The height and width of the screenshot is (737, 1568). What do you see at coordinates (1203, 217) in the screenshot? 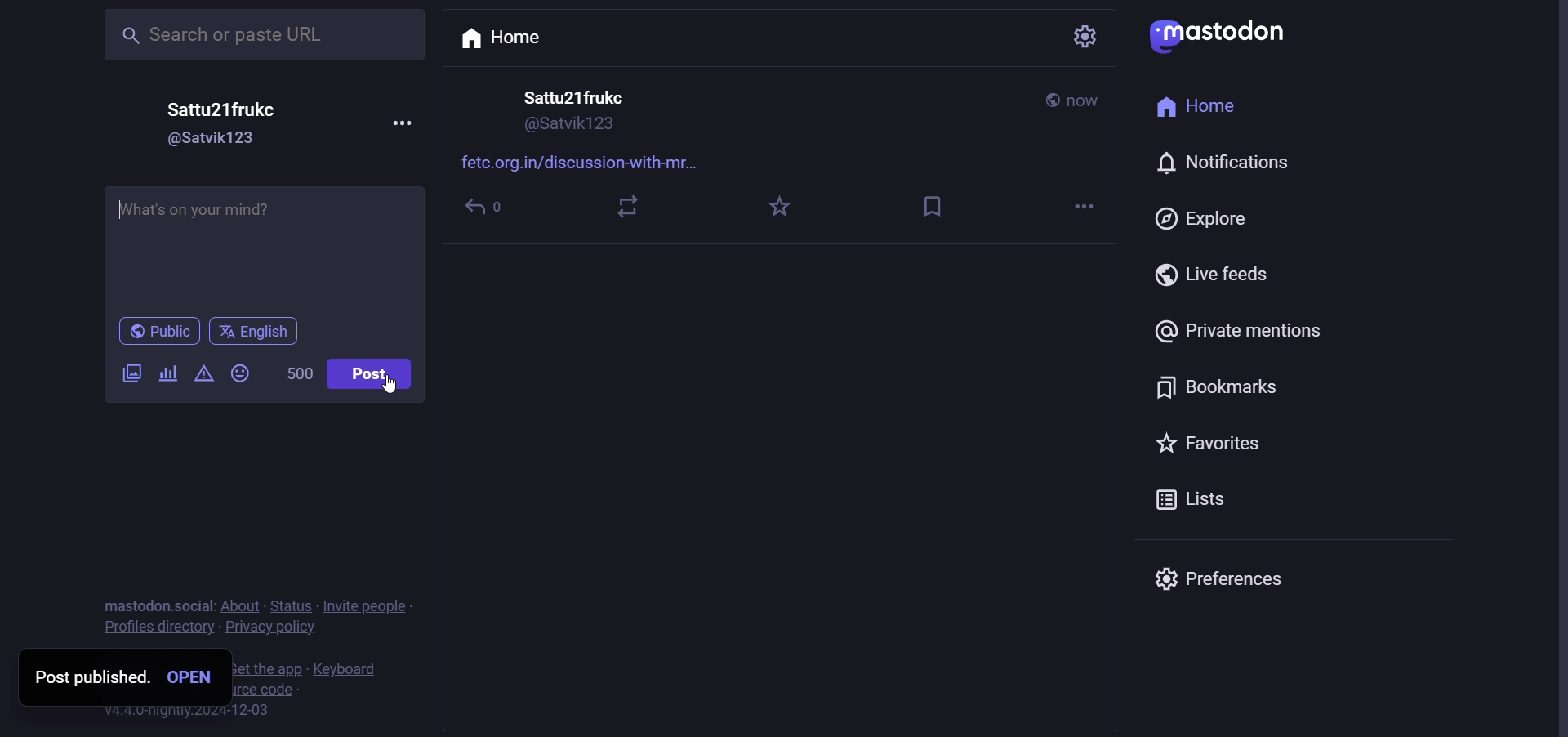
I see `explore` at bounding box center [1203, 217].